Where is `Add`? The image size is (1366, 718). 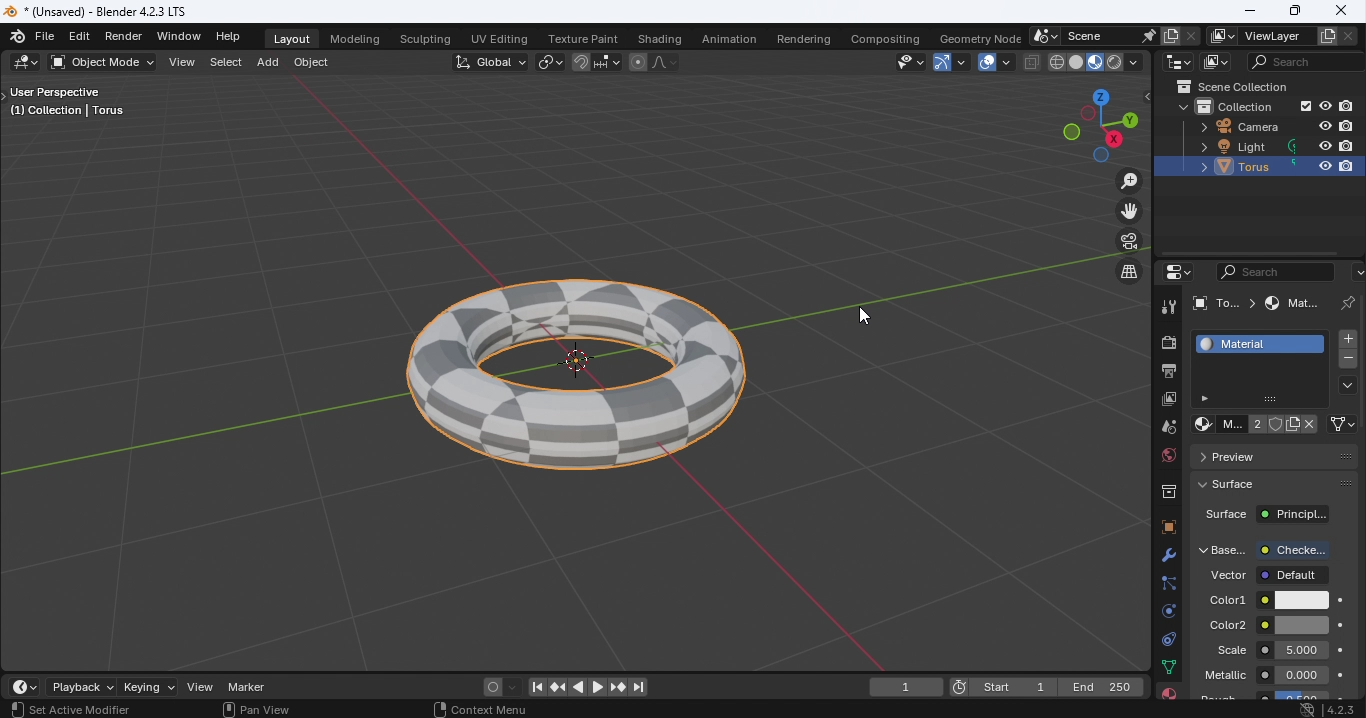 Add is located at coordinates (270, 61).